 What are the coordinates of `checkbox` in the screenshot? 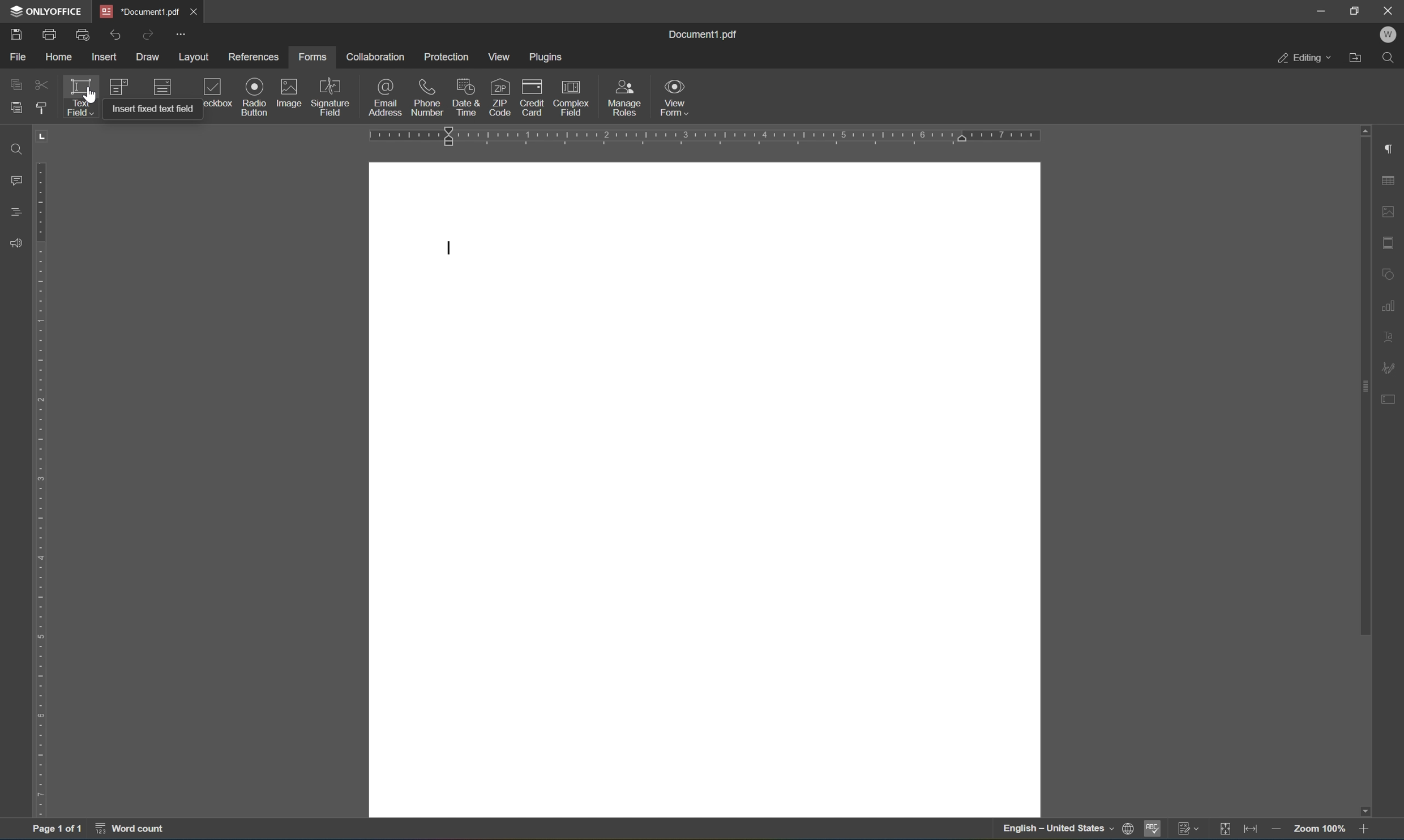 It's located at (214, 92).